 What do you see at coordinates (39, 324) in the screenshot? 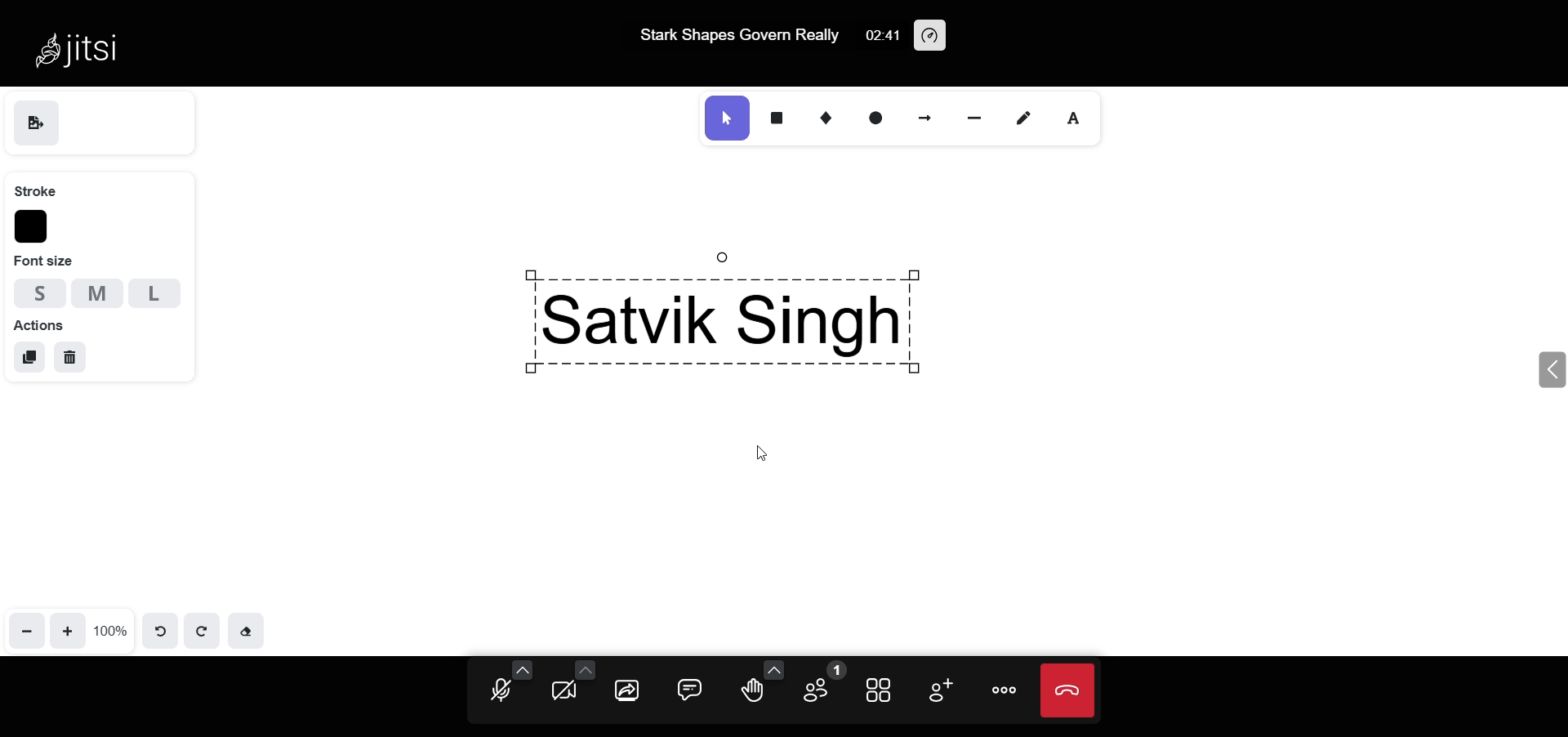
I see `actions` at bounding box center [39, 324].